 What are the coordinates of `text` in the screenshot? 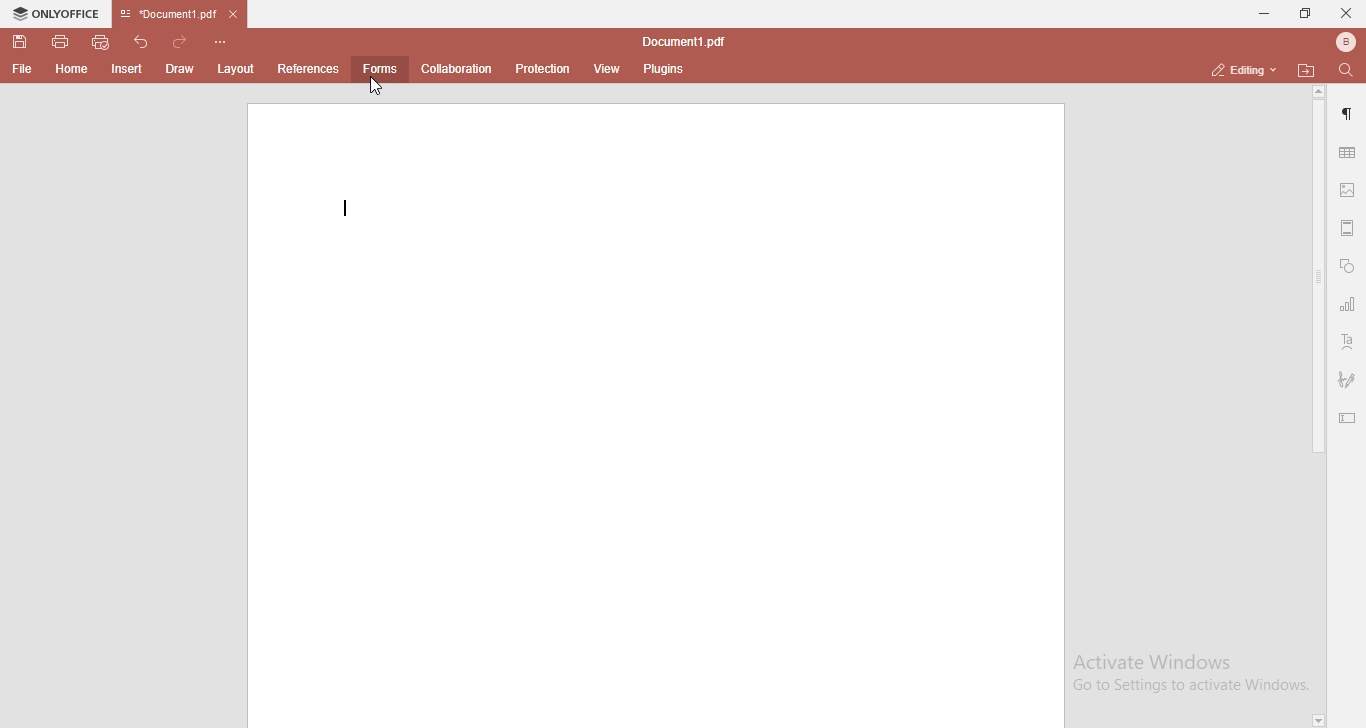 It's located at (1348, 343).